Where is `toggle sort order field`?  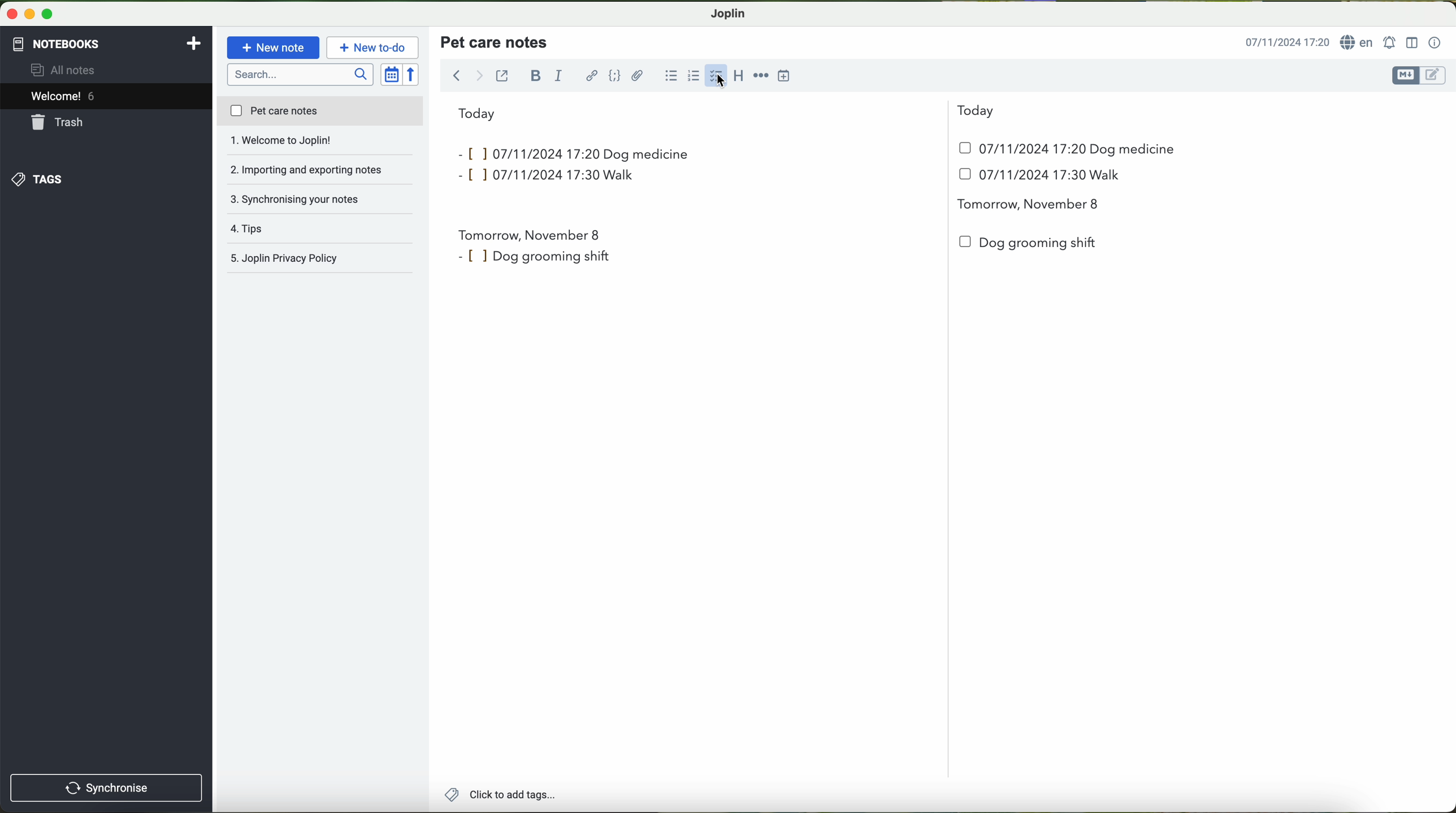 toggle sort order field is located at coordinates (392, 75).